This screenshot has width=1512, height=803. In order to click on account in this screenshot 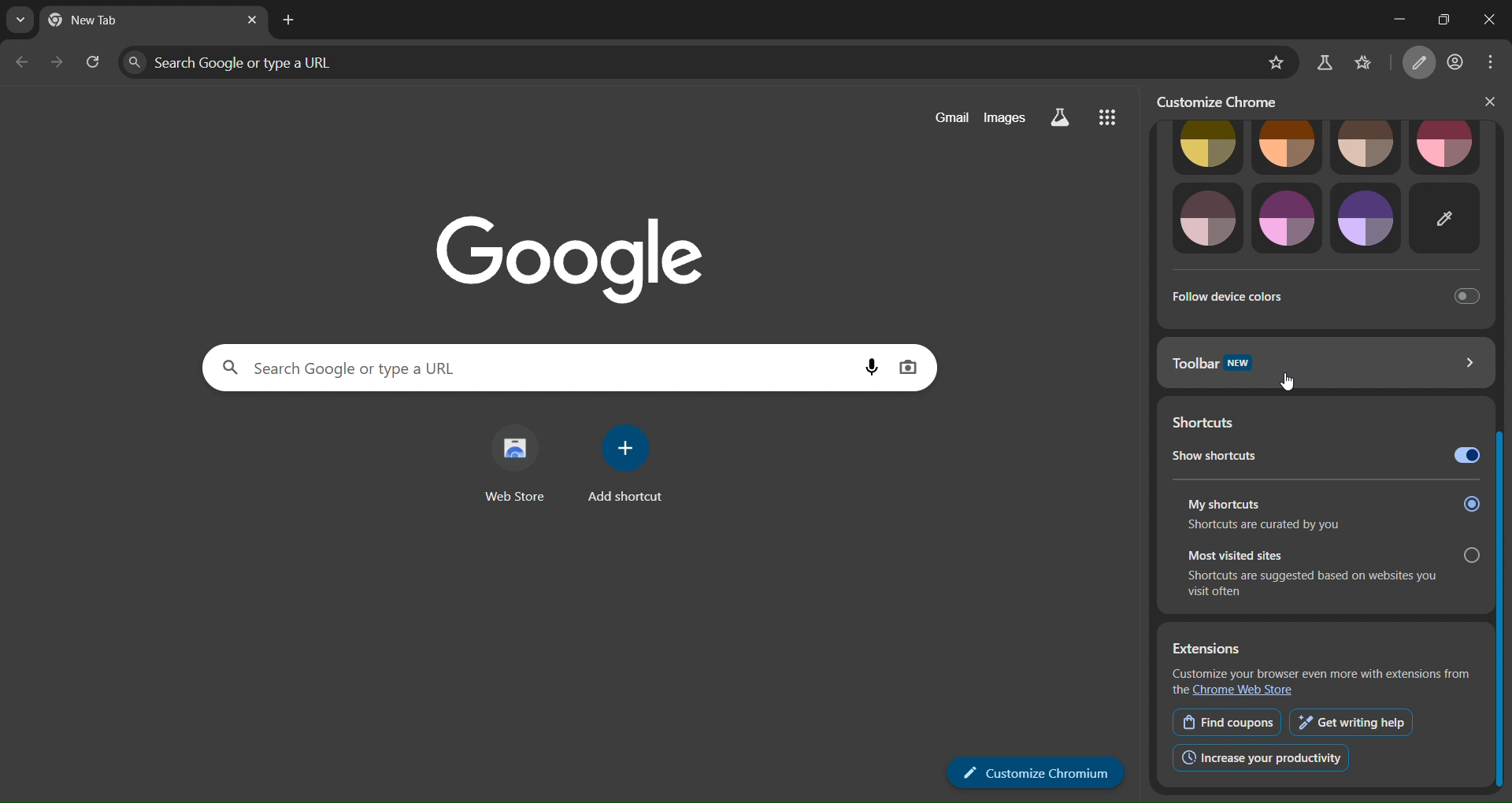, I will do `click(1458, 60)`.